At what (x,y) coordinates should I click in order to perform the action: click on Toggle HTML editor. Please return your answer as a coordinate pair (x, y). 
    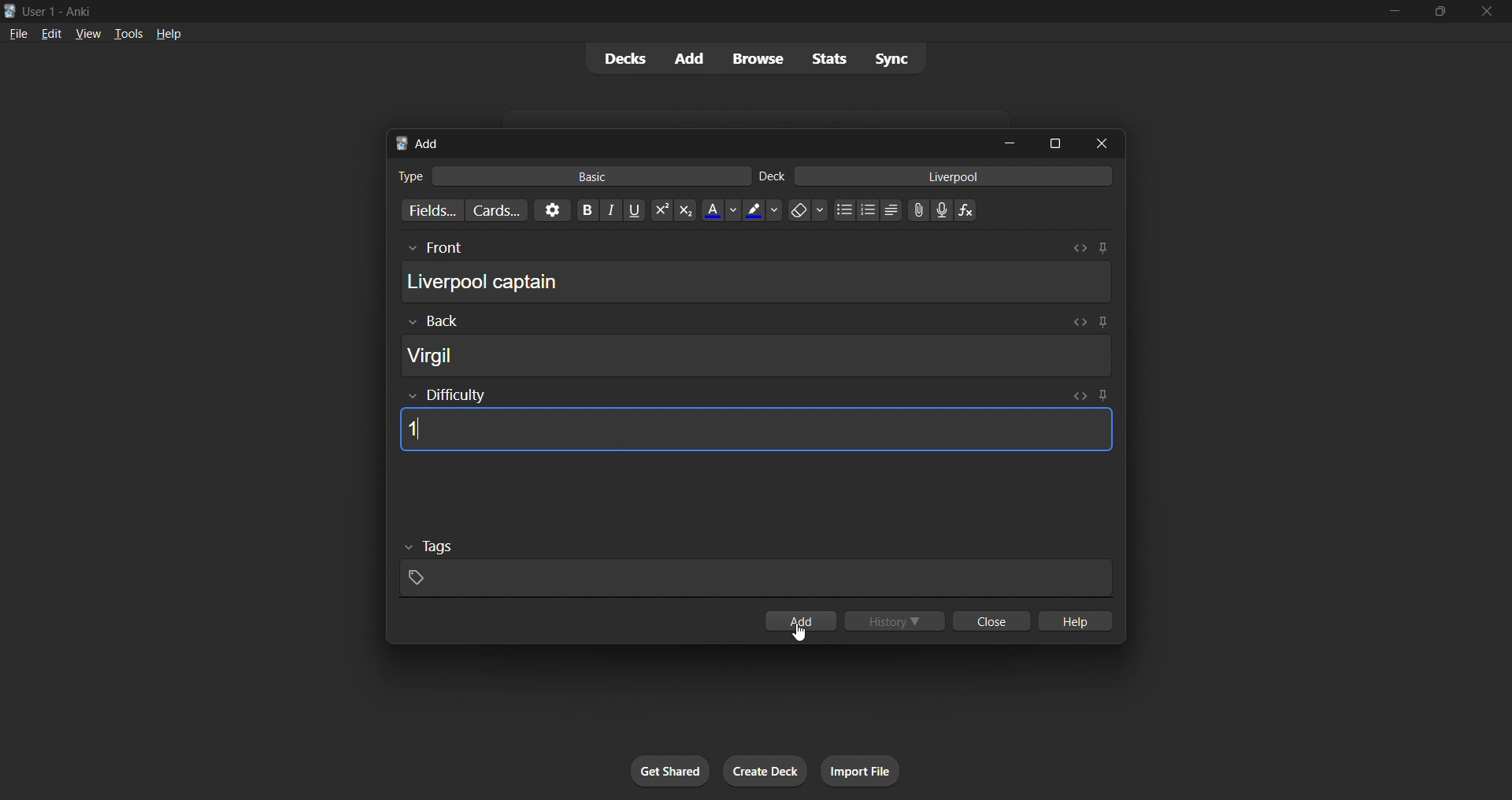
    Looking at the image, I should click on (1078, 322).